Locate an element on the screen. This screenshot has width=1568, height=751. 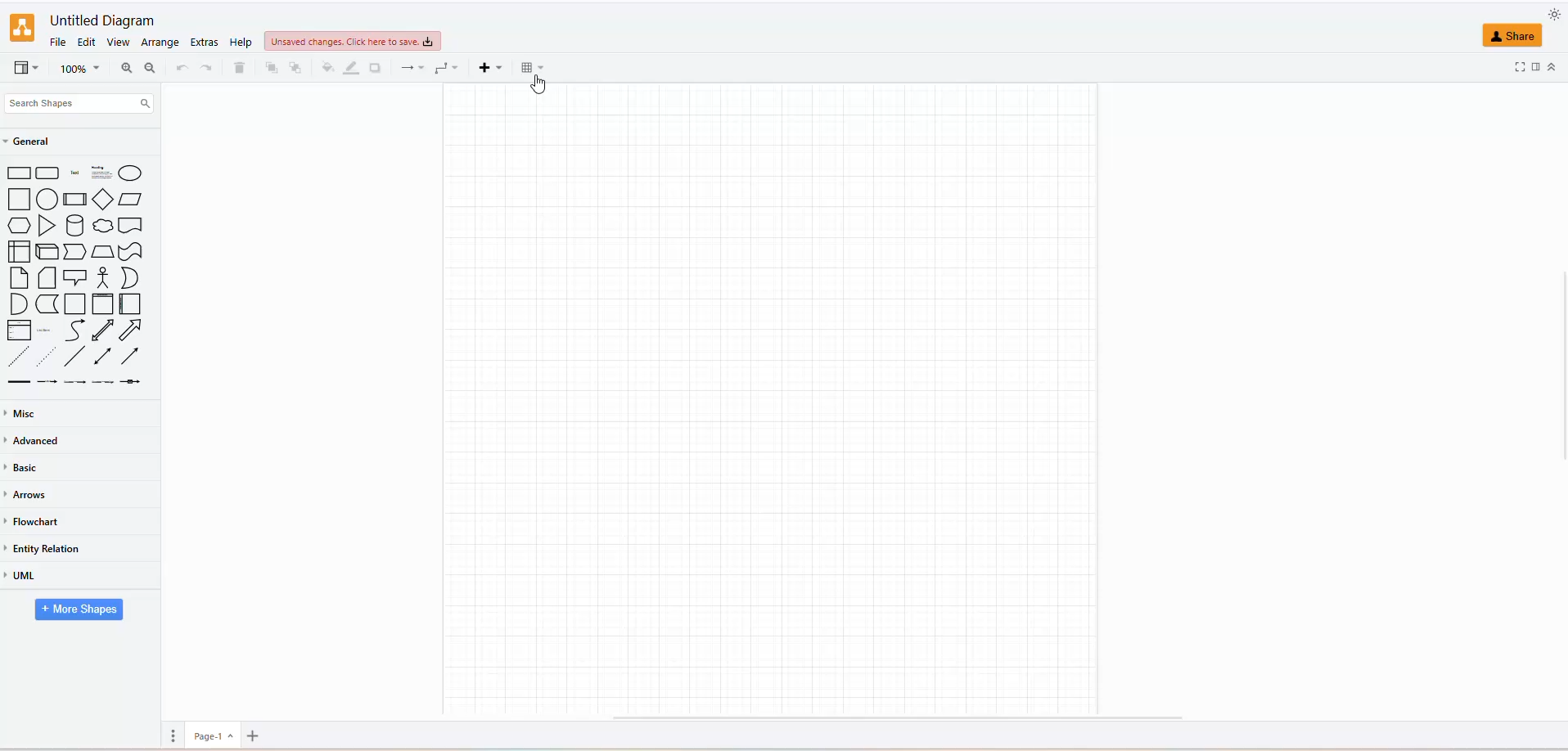
miscellaneous is located at coordinates (24, 414).